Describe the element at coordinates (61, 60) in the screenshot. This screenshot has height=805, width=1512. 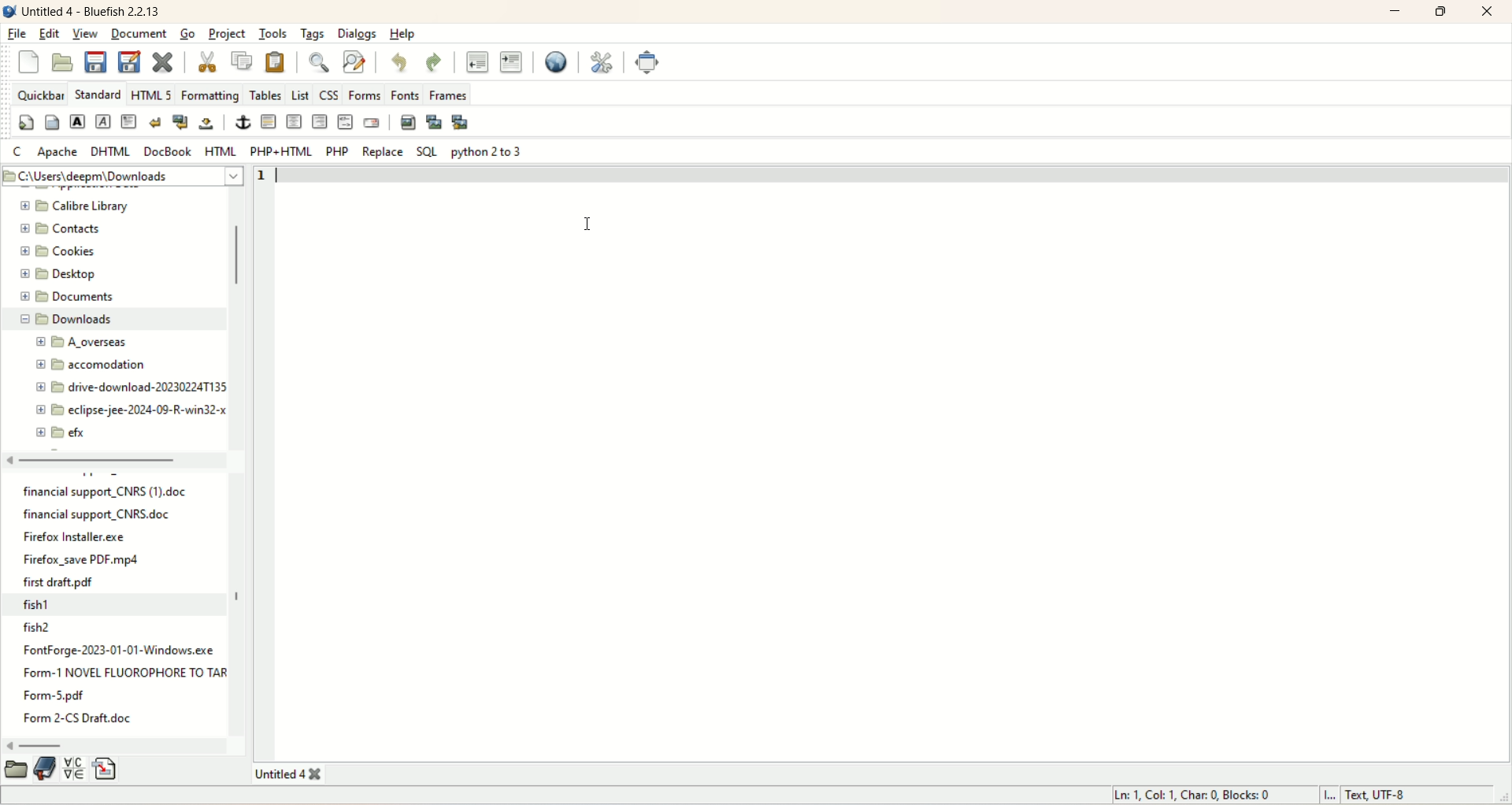
I see `open file` at that location.